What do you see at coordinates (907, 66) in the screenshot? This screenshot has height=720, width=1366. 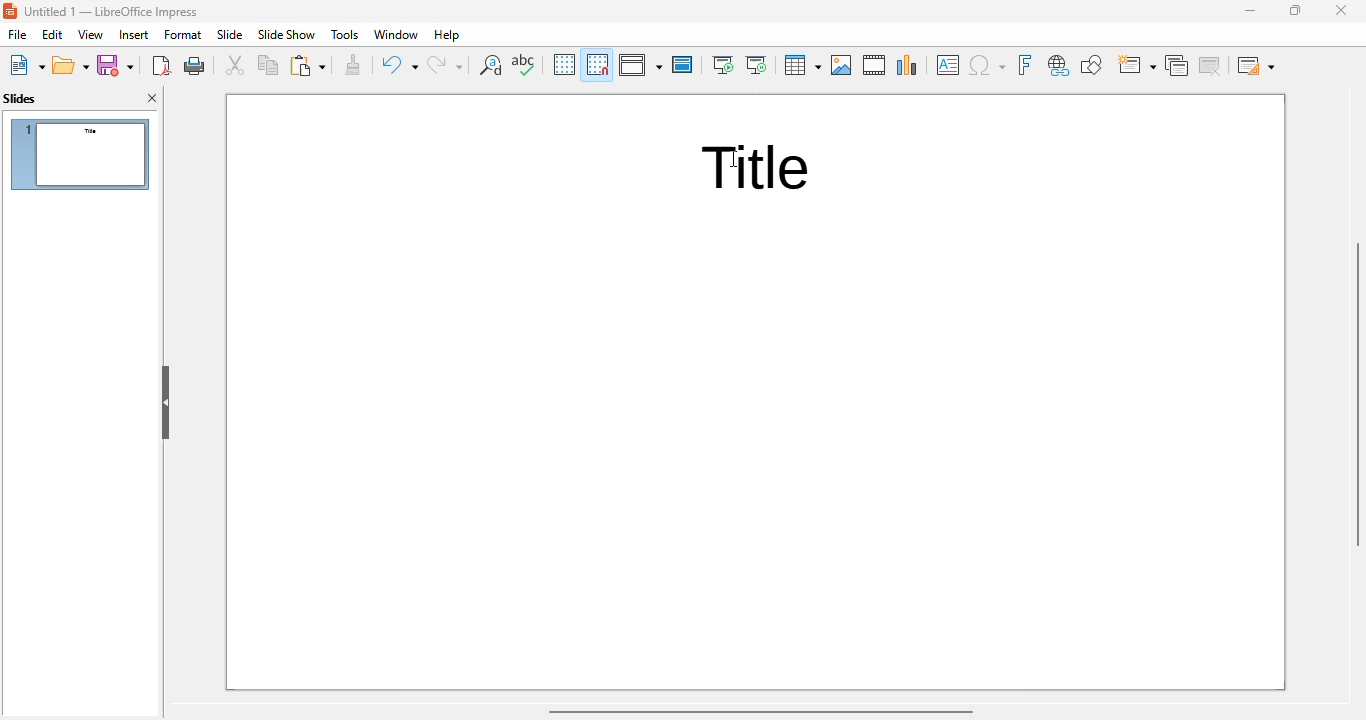 I see `insert chart` at bounding box center [907, 66].